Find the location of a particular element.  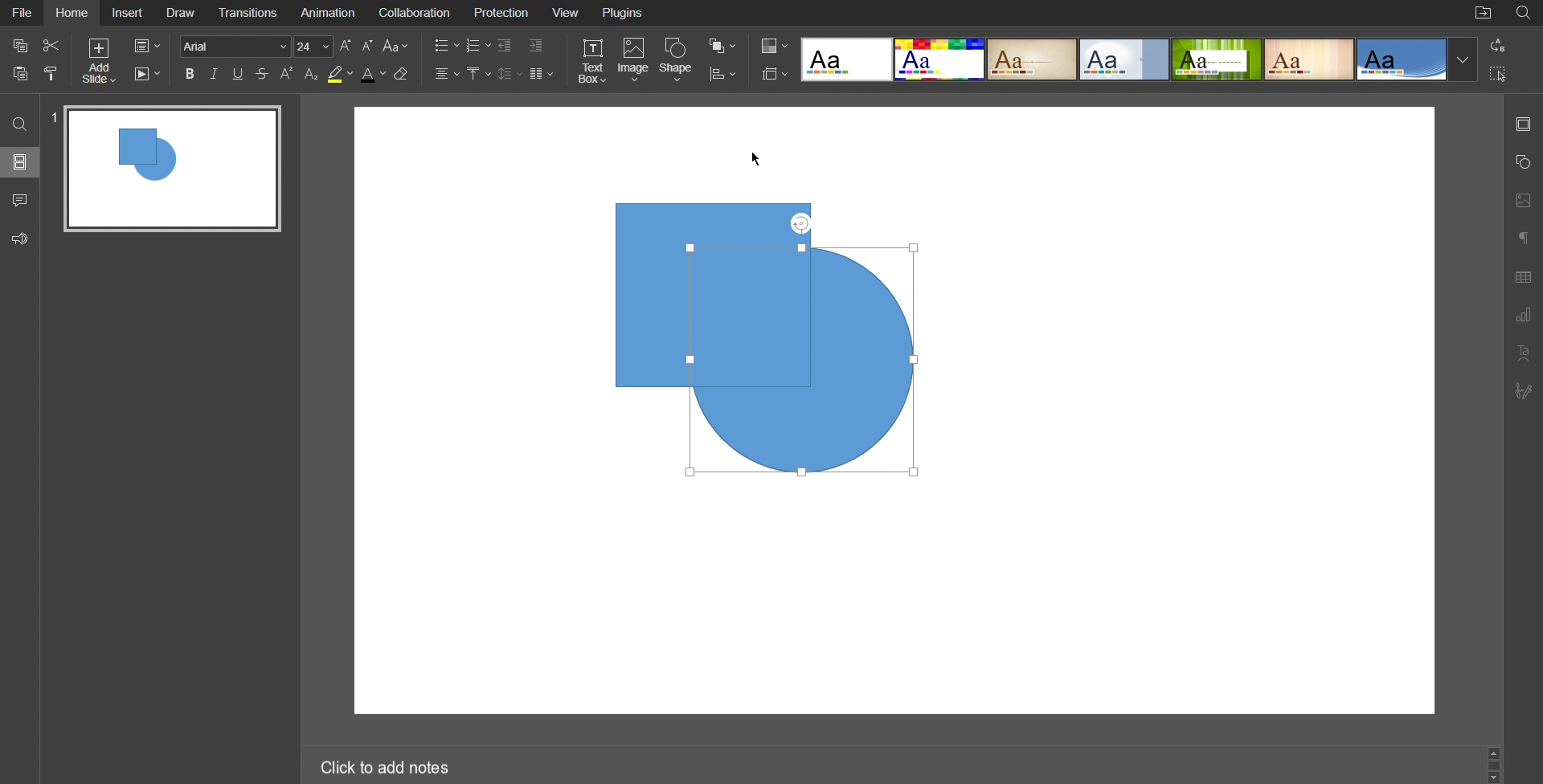

Image Settings is located at coordinates (1524, 200).